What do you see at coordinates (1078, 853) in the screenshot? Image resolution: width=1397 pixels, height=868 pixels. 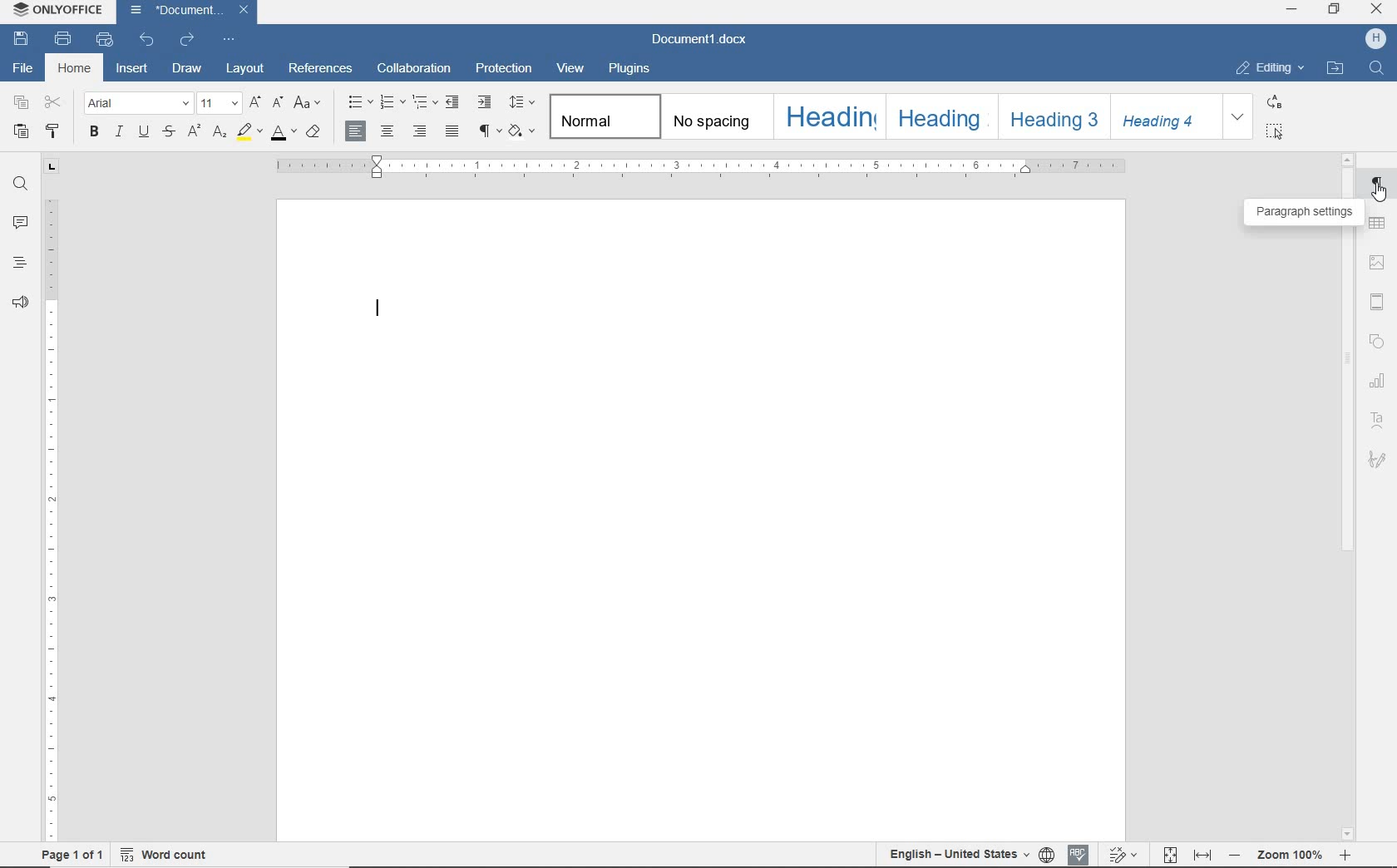 I see `spell checking` at bounding box center [1078, 853].